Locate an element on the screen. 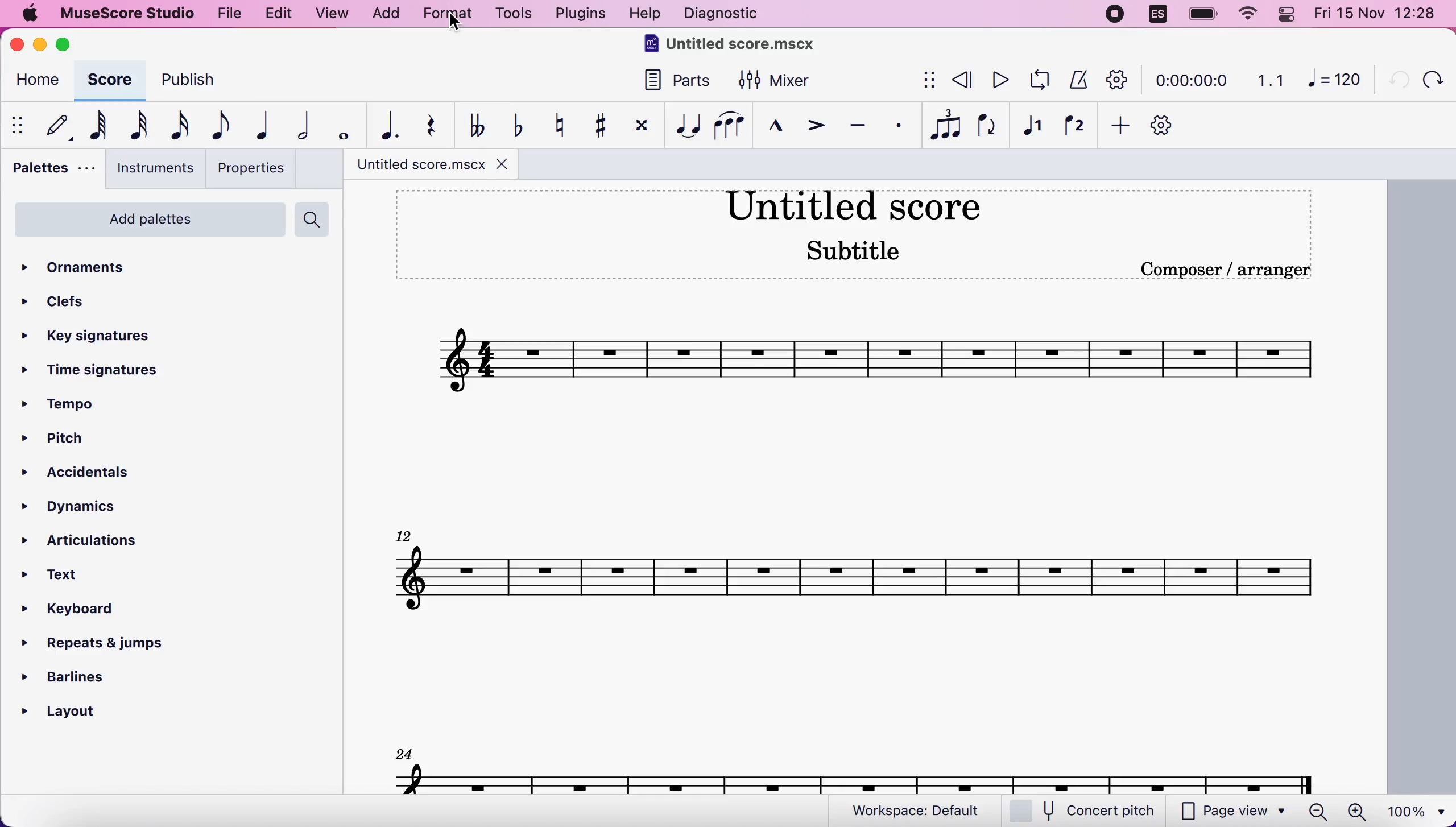 The height and width of the screenshot is (827, 1456). edit is located at coordinates (278, 14).